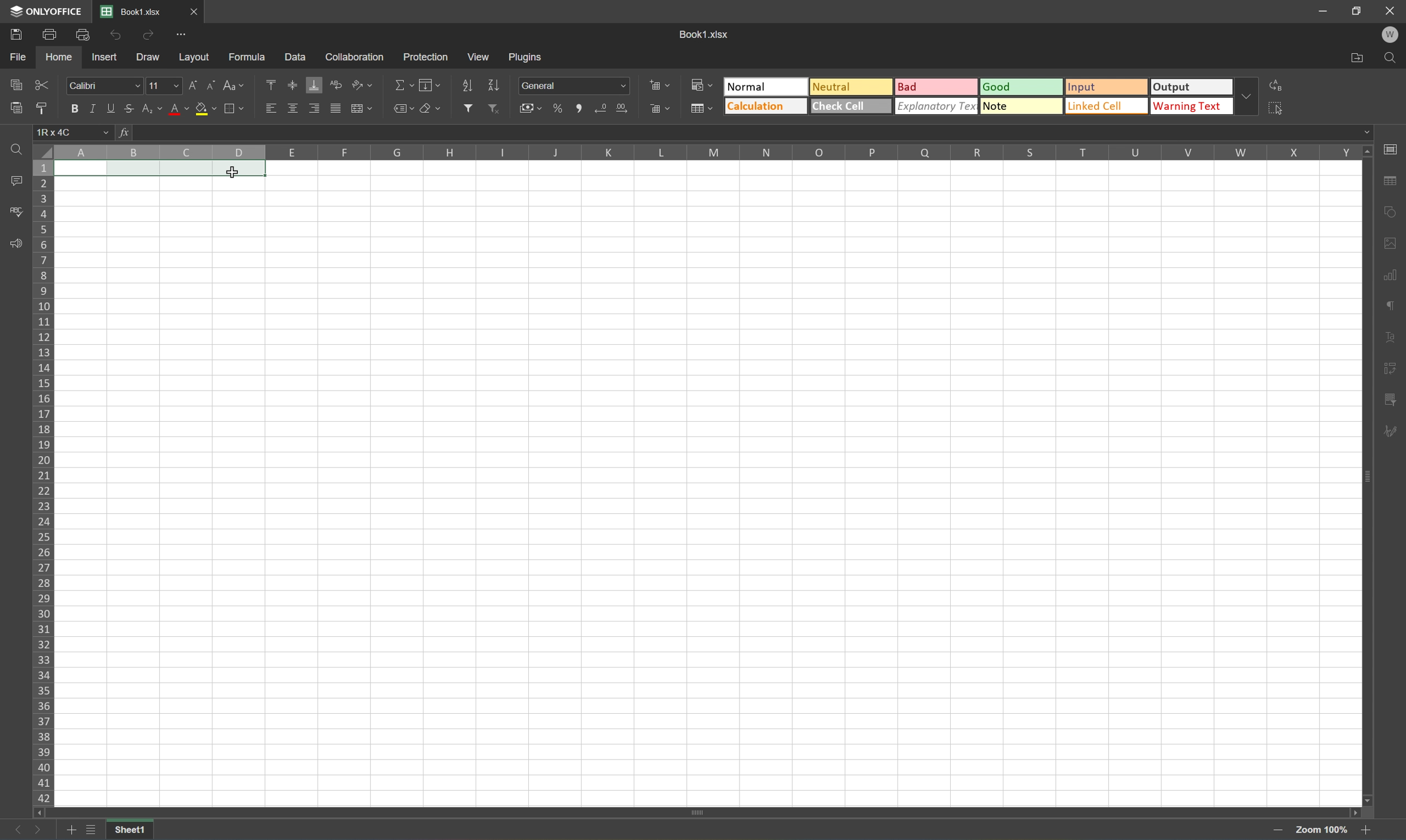 This screenshot has height=840, width=1406. Describe the element at coordinates (766, 106) in the screenshot. I see `Calculation` at that location.